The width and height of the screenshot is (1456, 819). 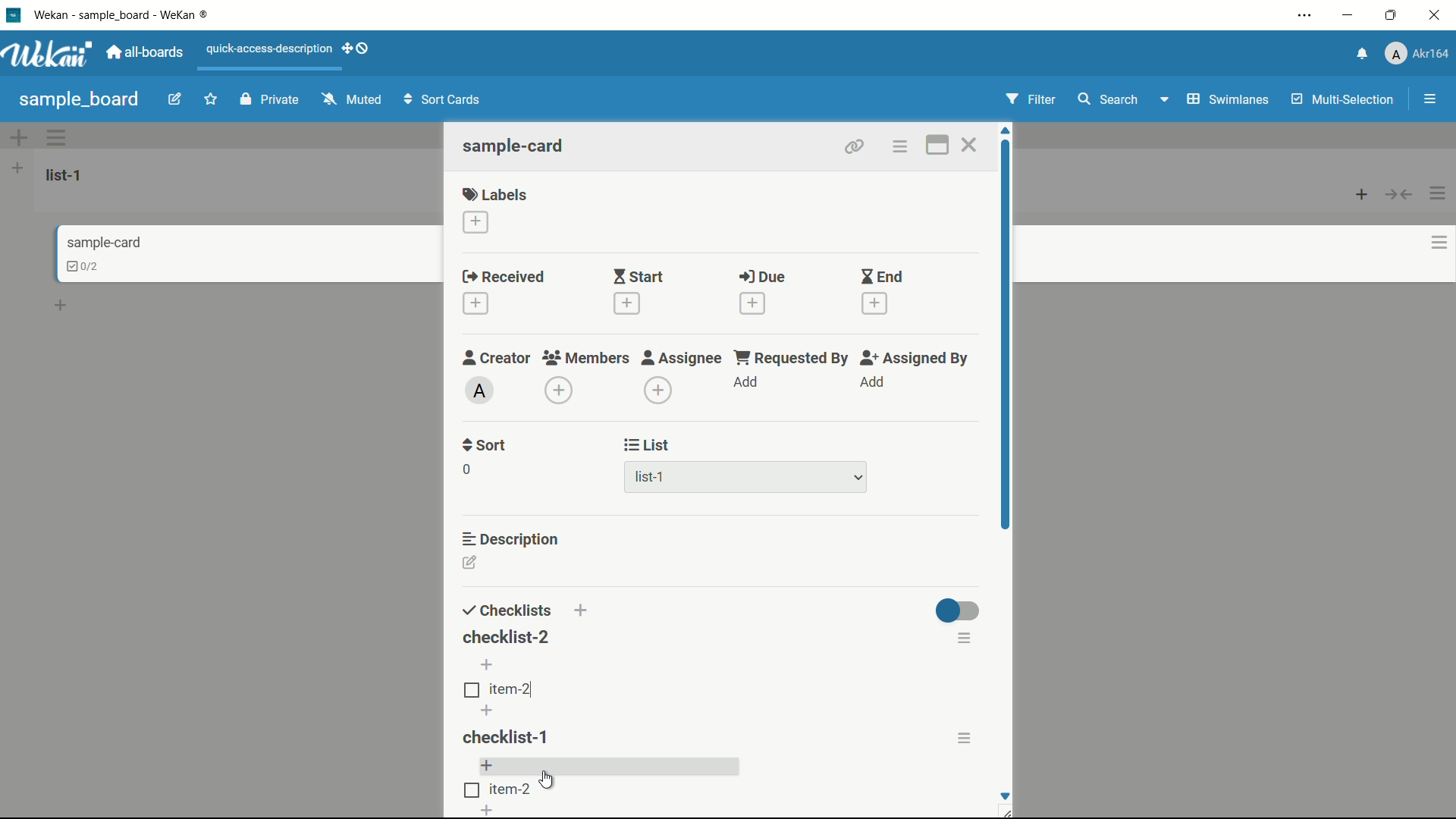 What do you see at coordinates (579, 610) in the screenshot?
I see `add` at bounding box center [579, 610].